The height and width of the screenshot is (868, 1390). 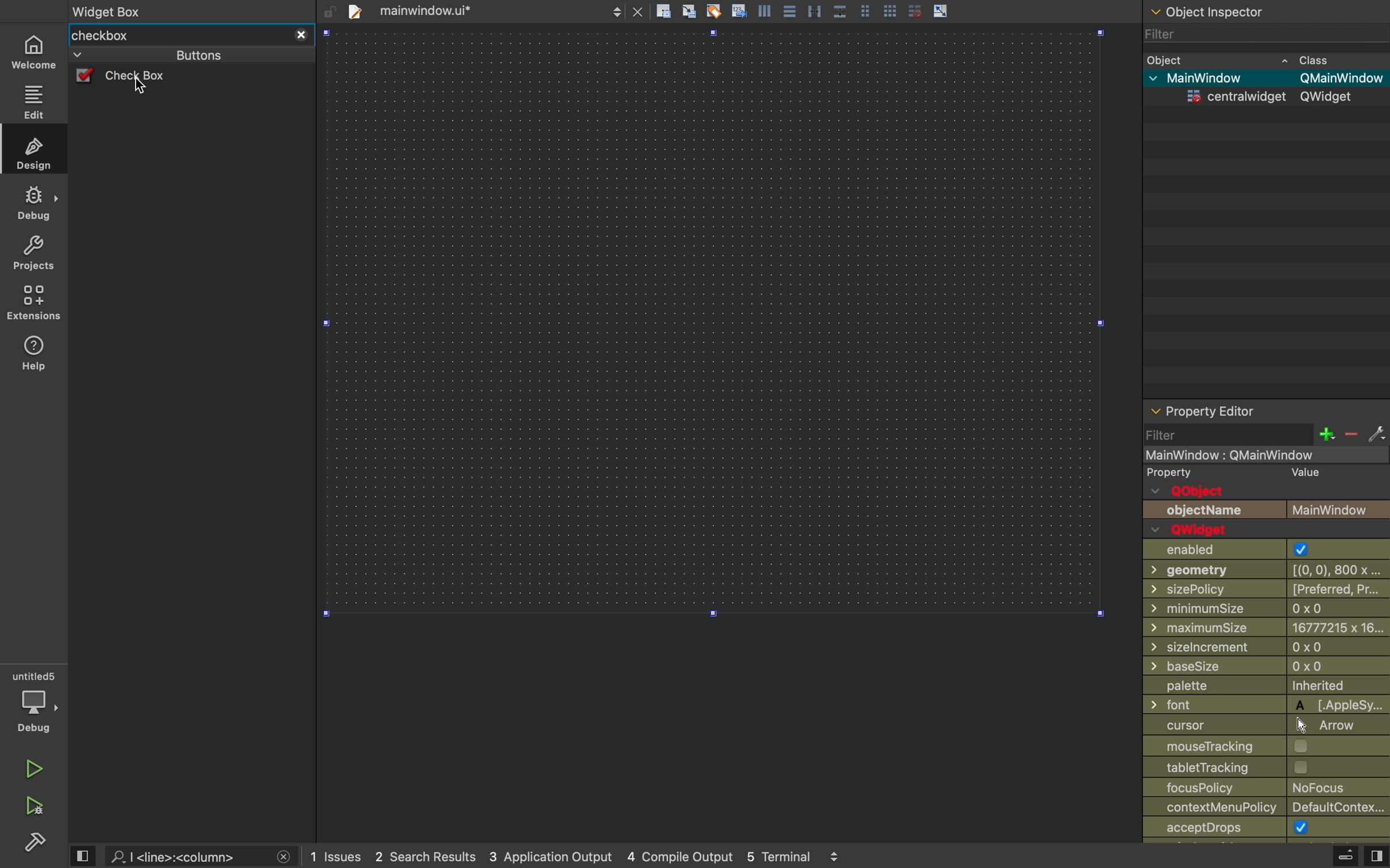 I want to click on accept drops, so click(x=1246, y=828).